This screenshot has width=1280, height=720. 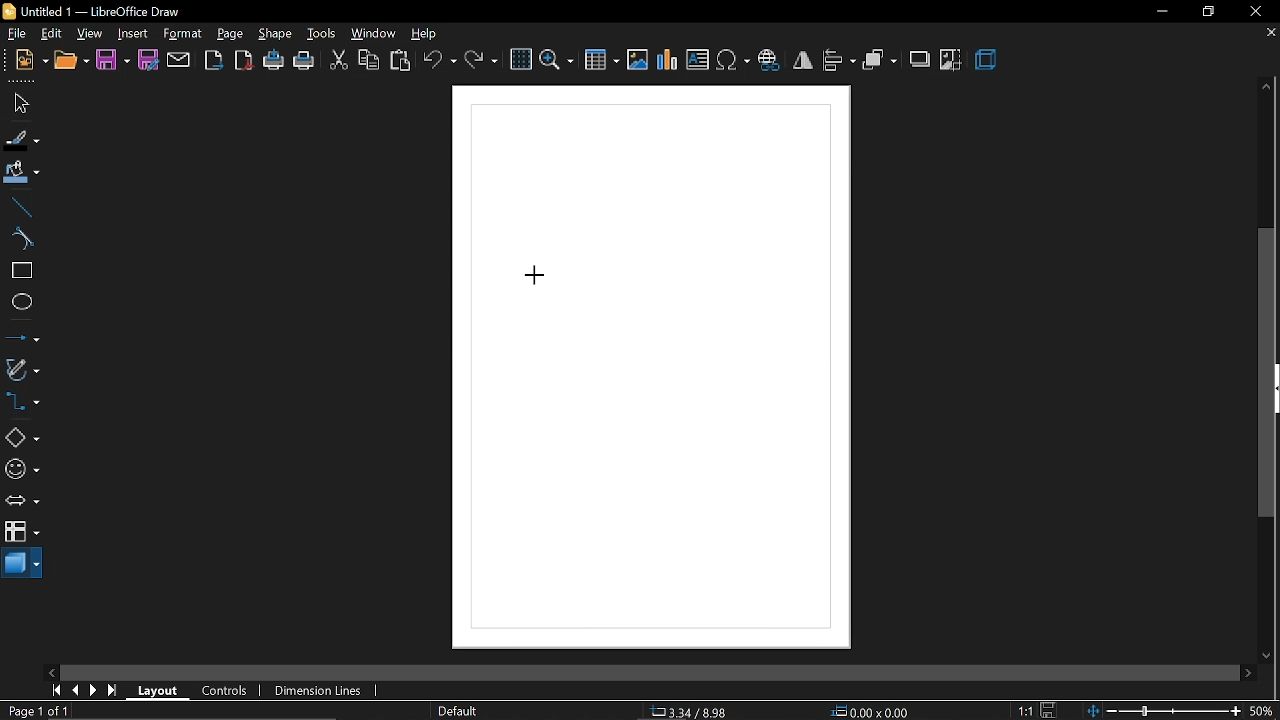 I want to click on shadow, so click(x=922, y=61).